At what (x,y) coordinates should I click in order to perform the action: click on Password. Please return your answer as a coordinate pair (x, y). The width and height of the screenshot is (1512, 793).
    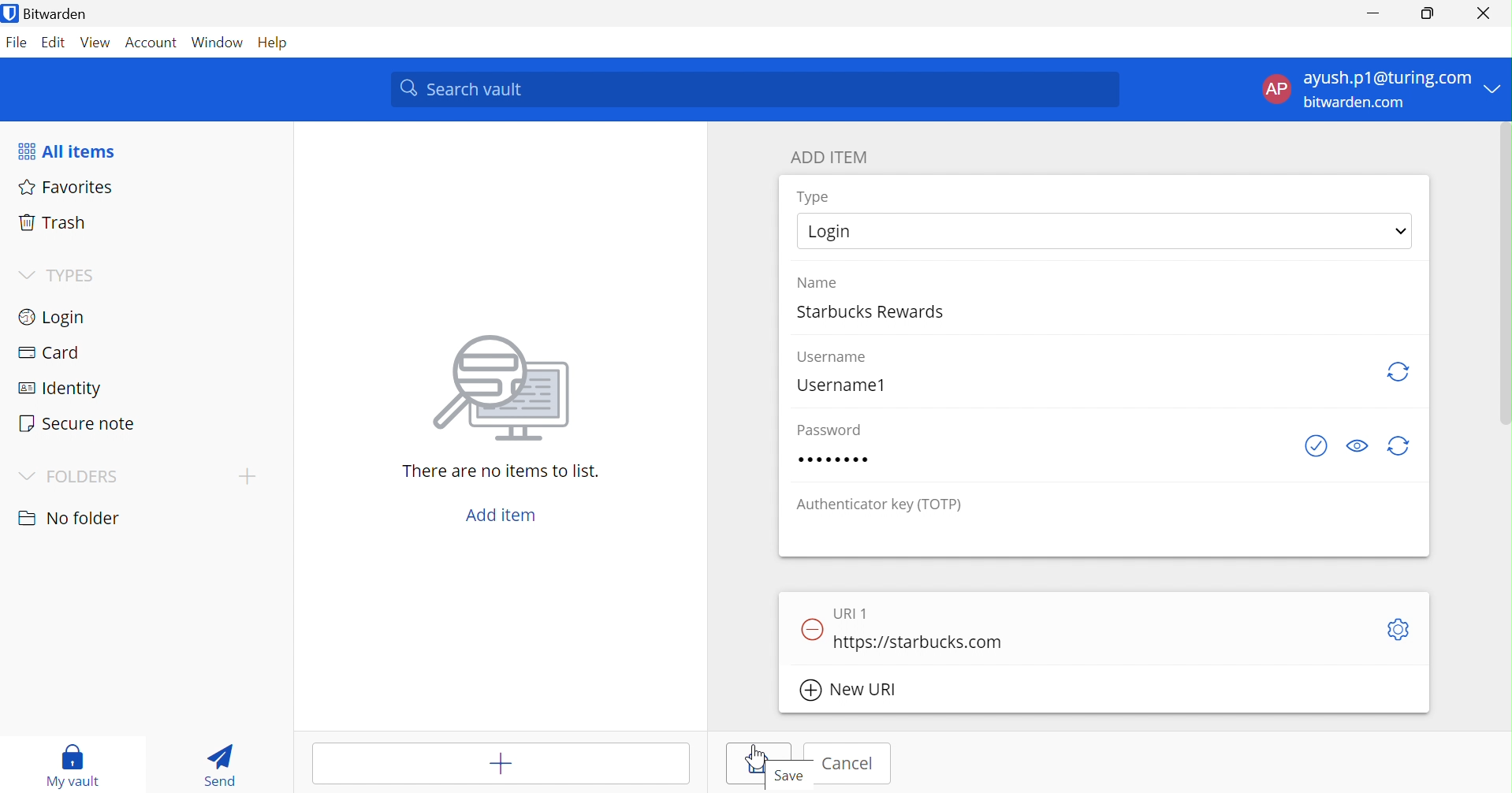
    Looking at the image, I should click on (829, 430).